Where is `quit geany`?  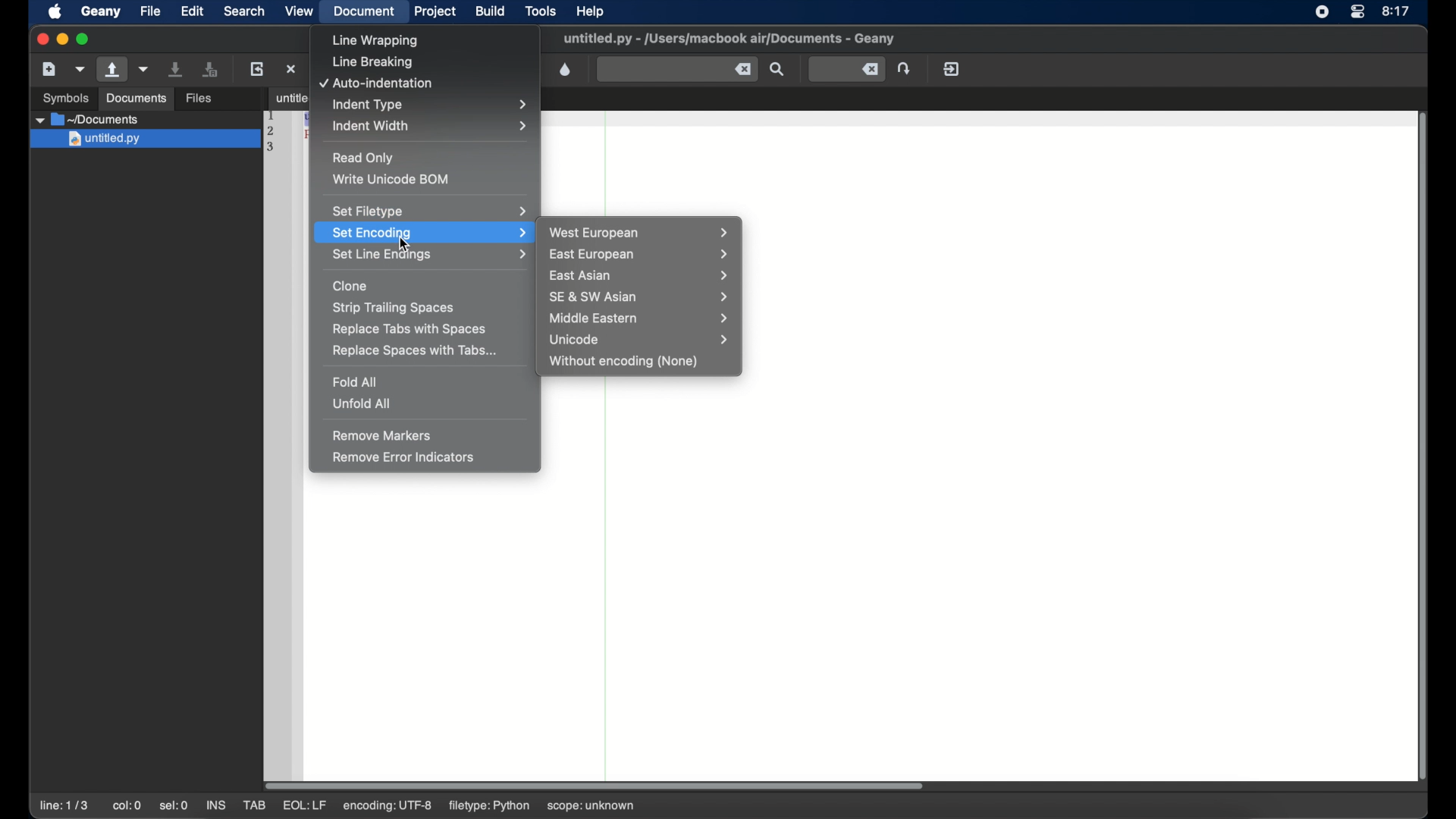
quit geany is located at coordinates (952, 68).